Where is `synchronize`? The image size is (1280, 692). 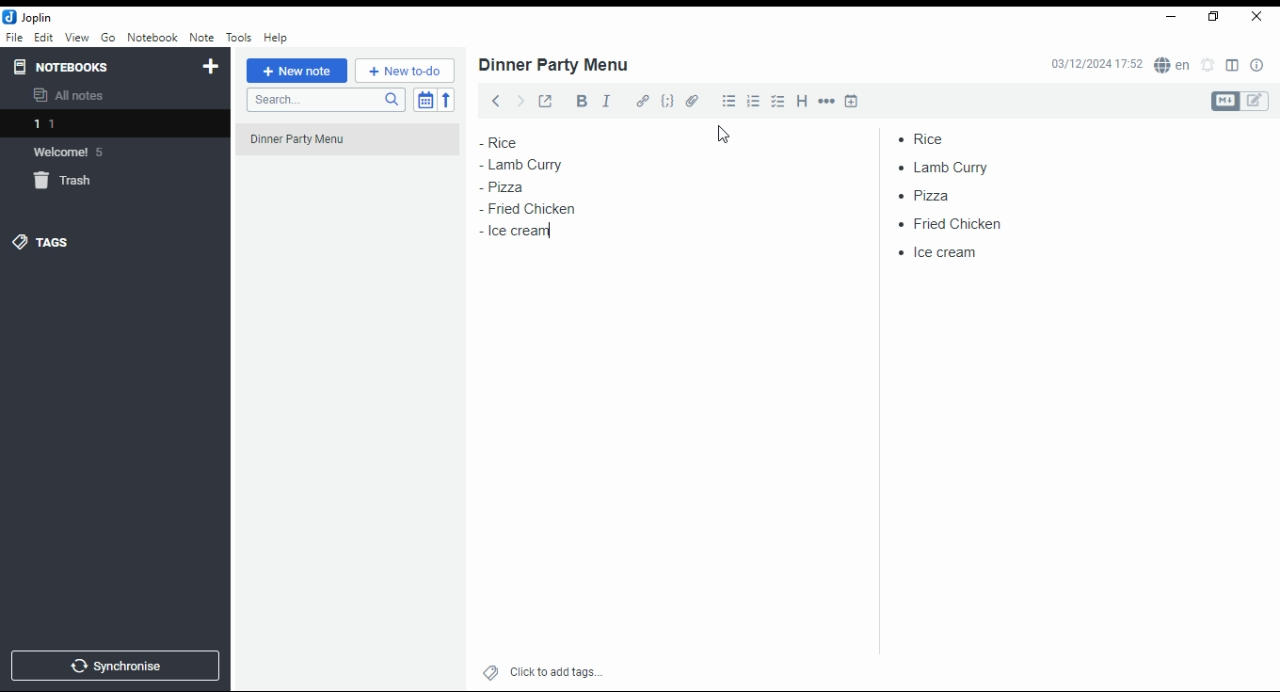
synchronize is located at coordinates (114, 666).